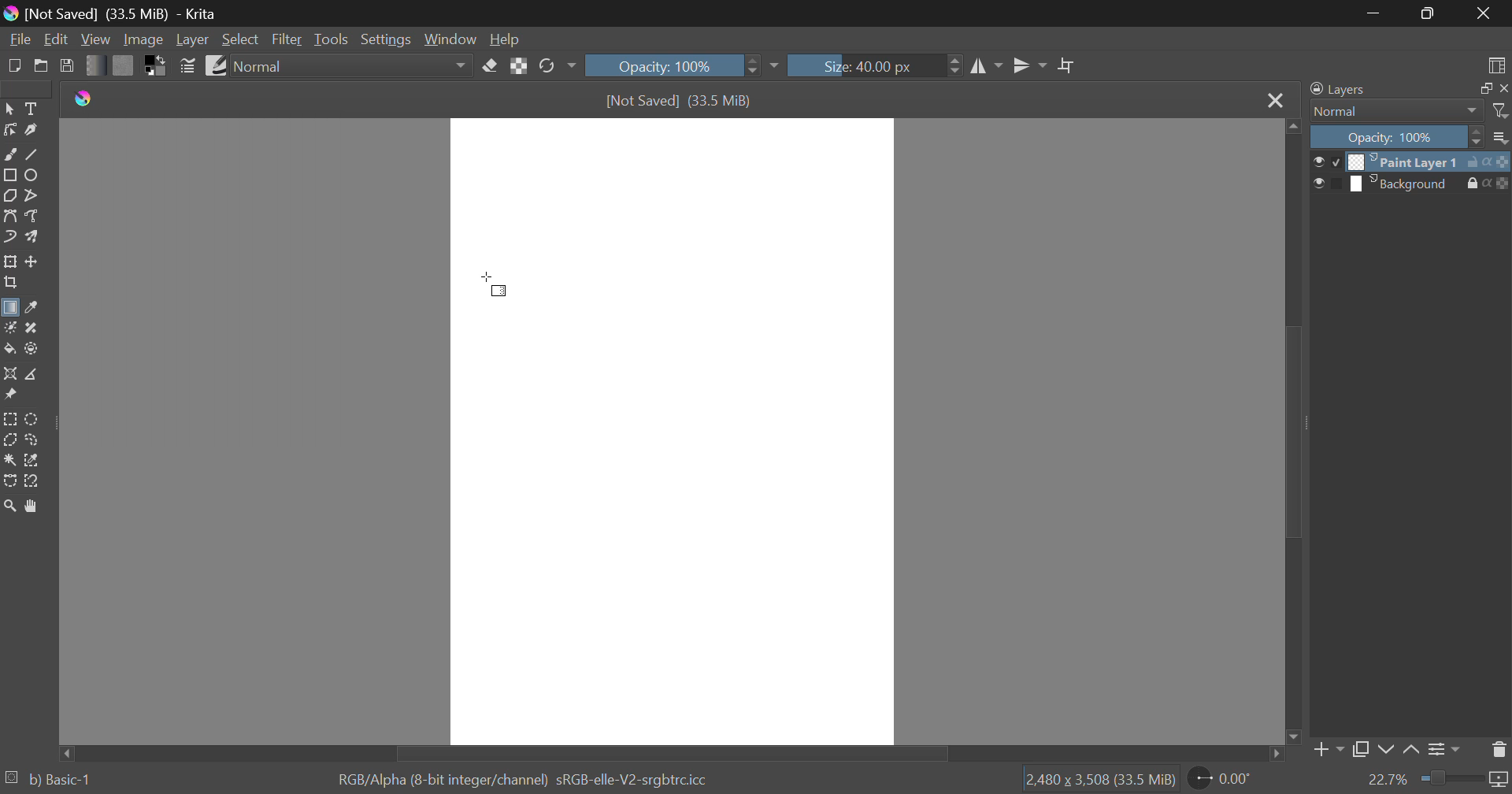  I want to click on unlock, so click(1476, 161).